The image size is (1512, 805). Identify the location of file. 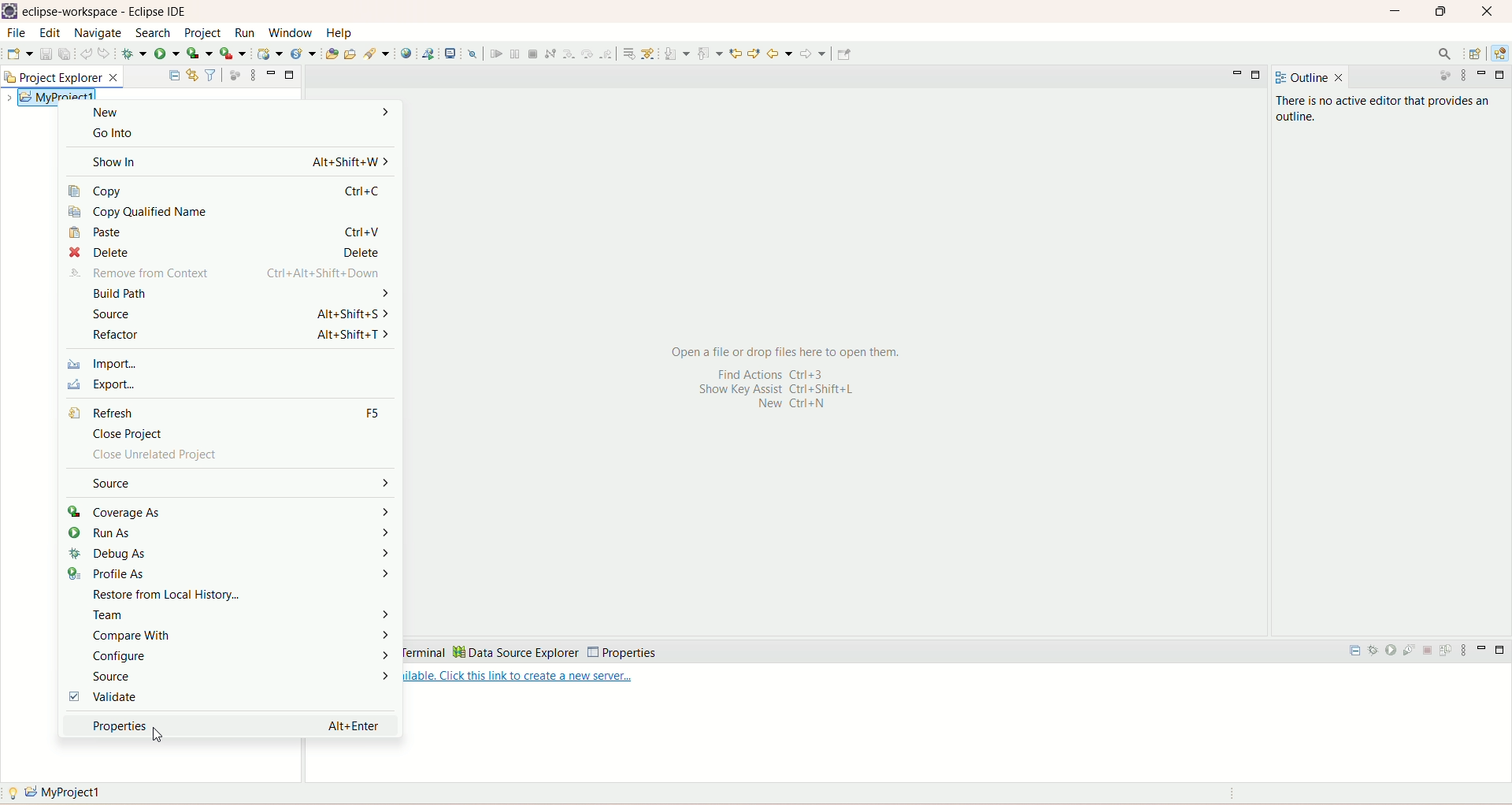
(15, 34).